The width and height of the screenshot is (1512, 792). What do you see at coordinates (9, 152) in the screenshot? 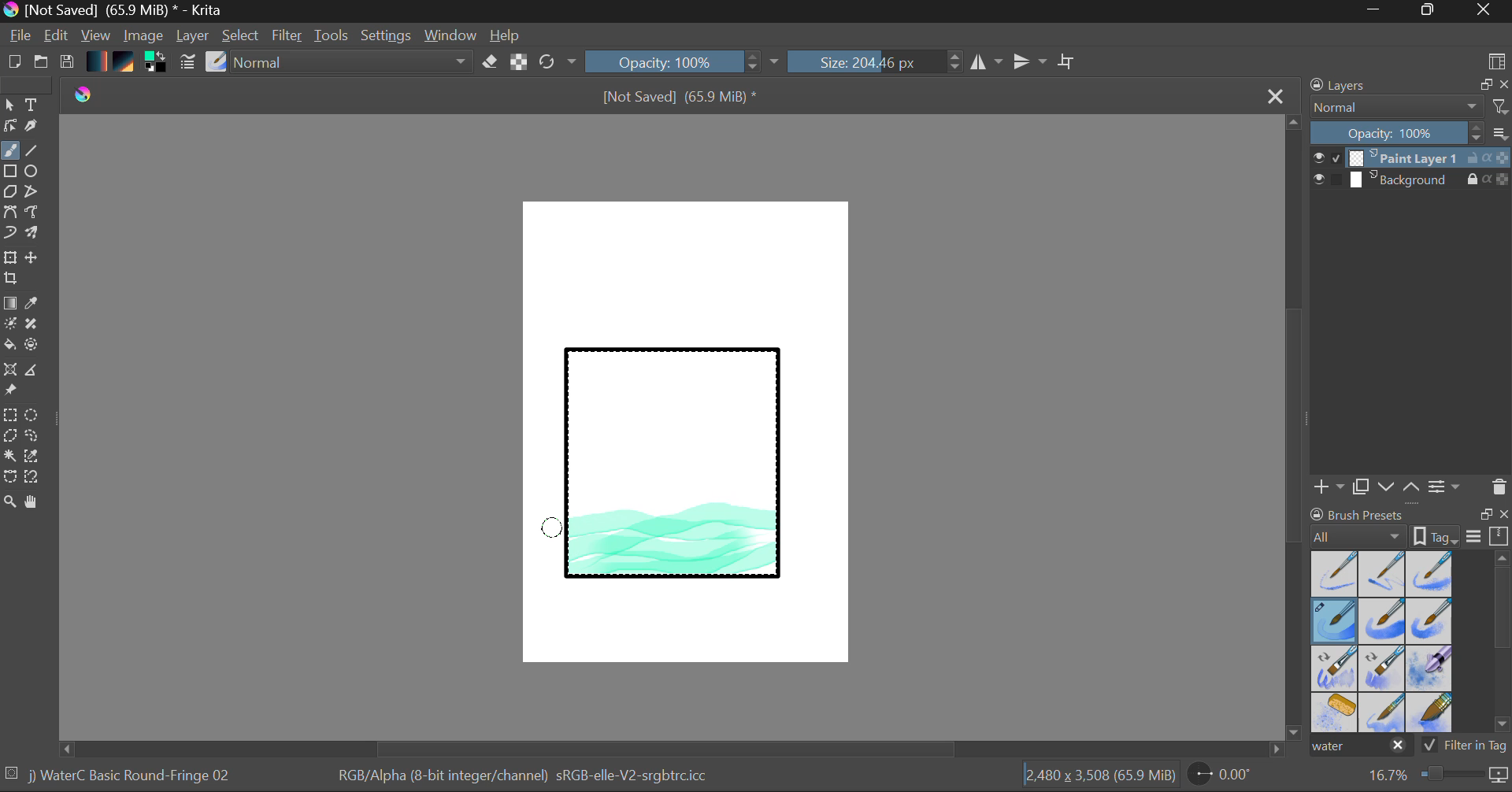
I see `Paintbrush` at bounding box center [9, 152].